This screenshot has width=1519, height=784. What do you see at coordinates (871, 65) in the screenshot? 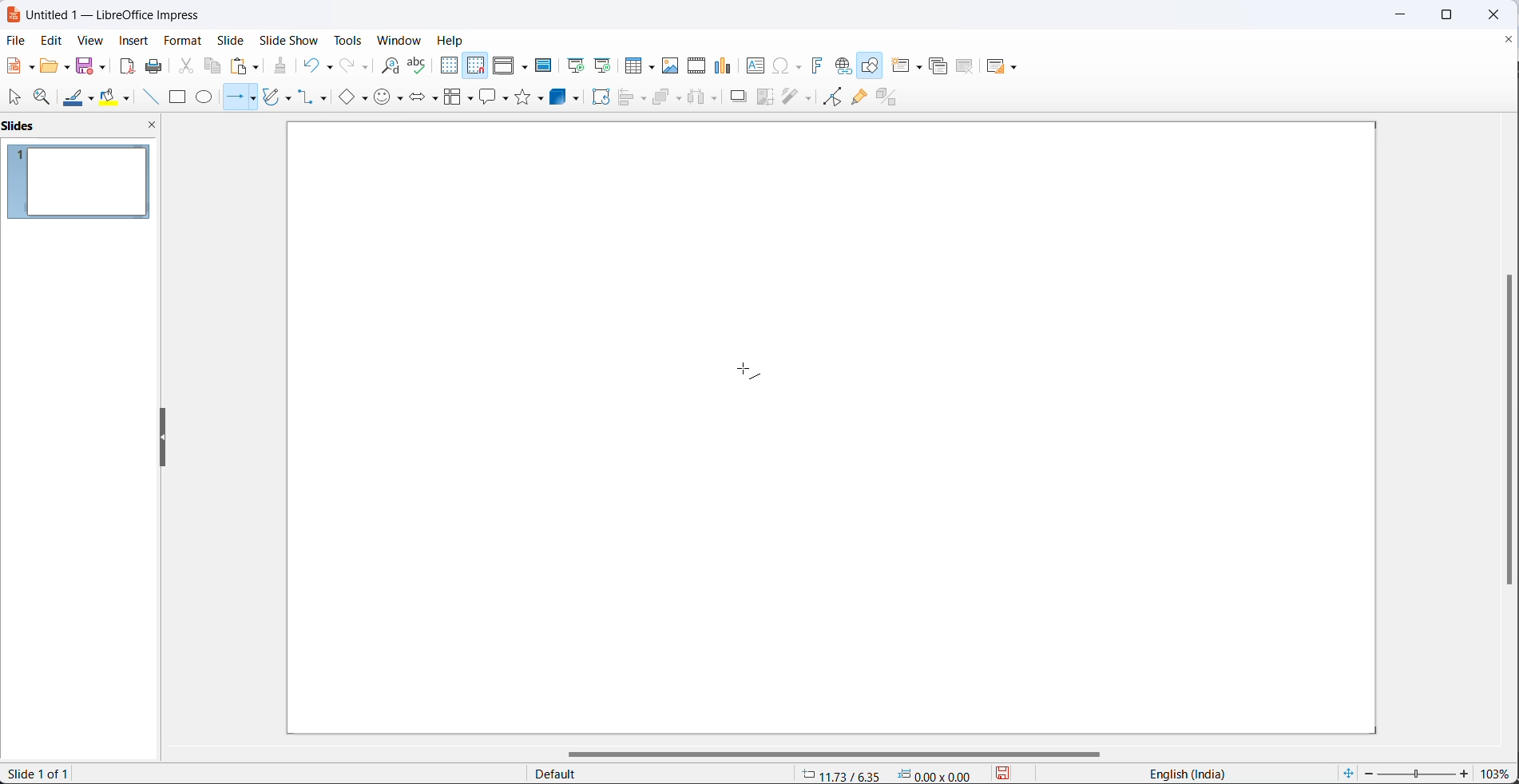
I see `show draw functions` at bounding box center [871, 65].